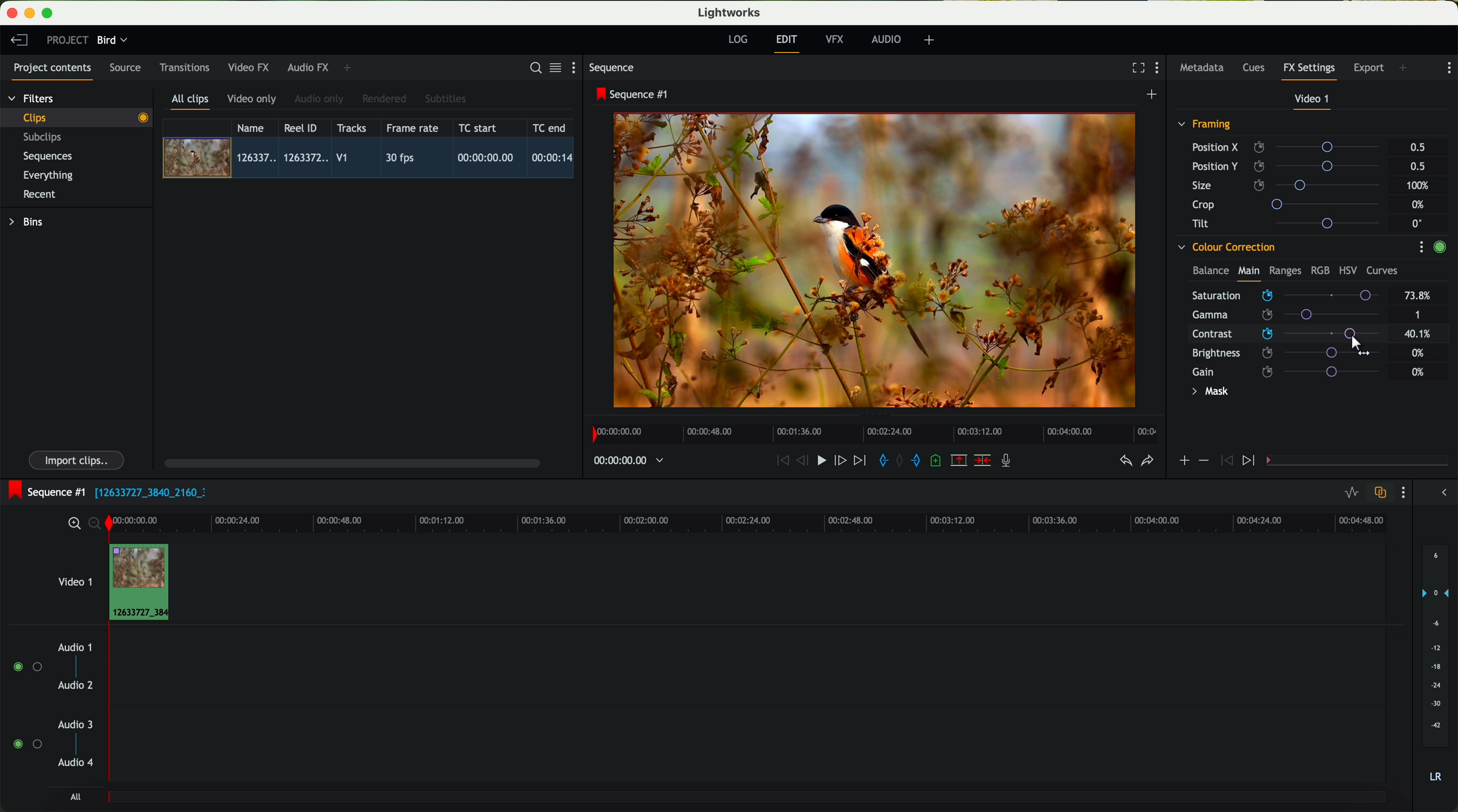 The image size is (1458, 812). I want to click on icon, so click(1183, 462).